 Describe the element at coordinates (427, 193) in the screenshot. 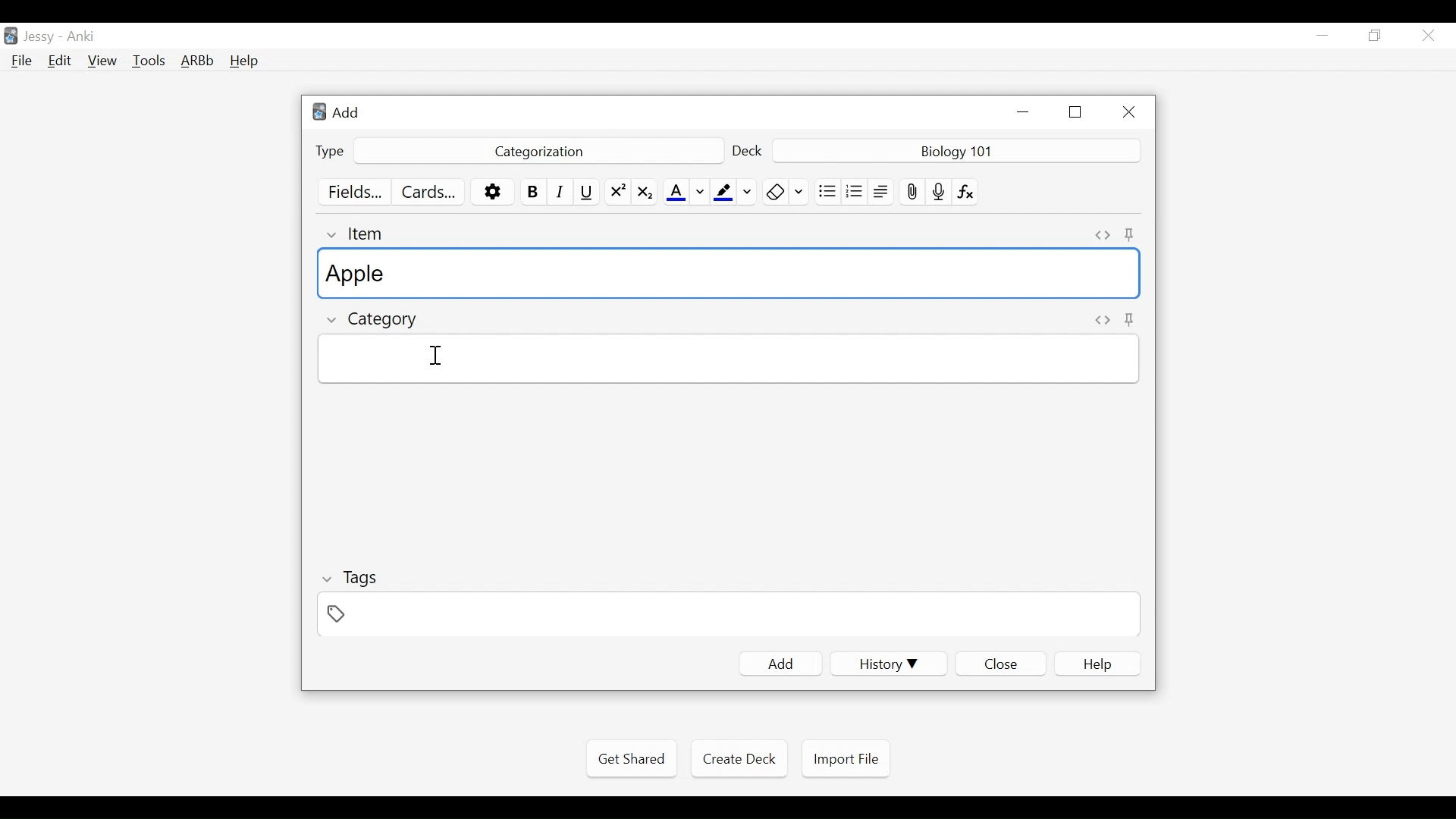

I see `Customize Card Template` at that location.